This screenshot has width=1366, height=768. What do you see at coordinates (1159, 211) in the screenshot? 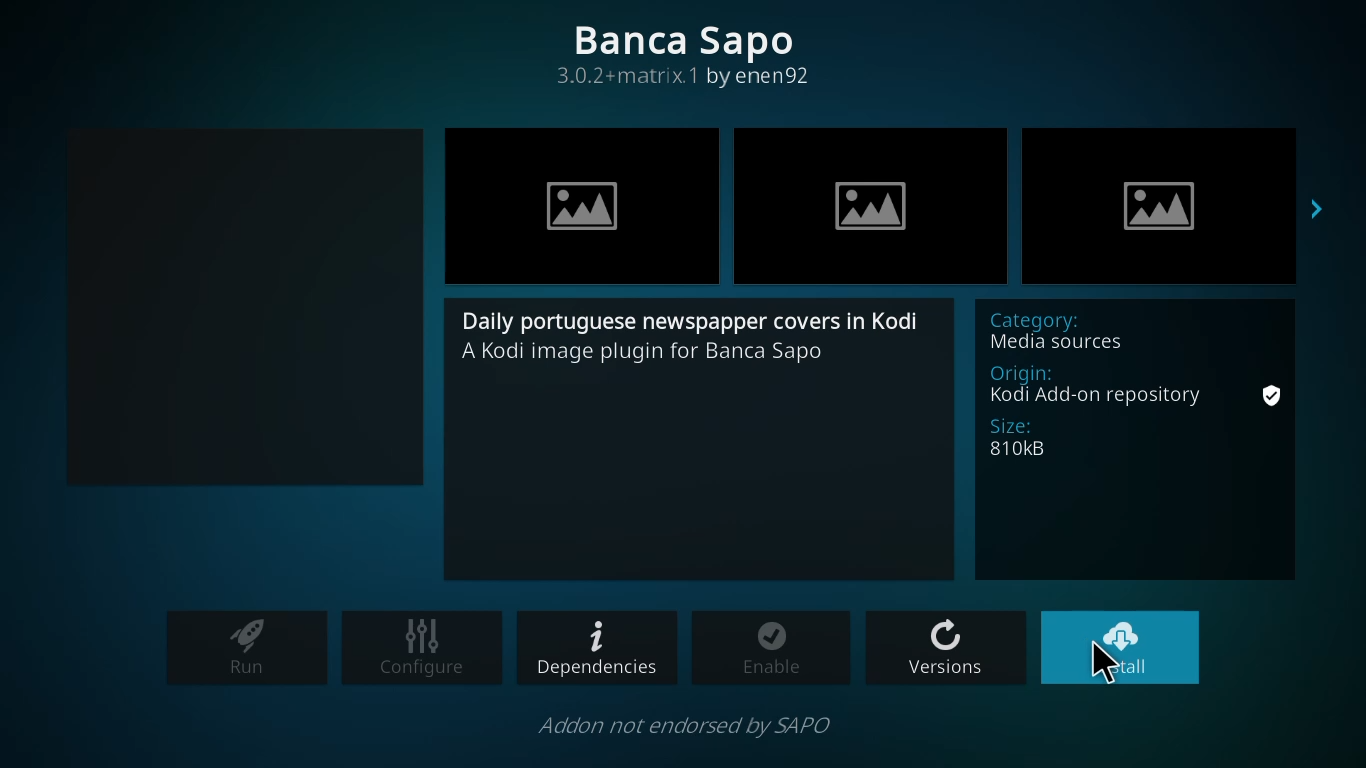
I see `image` at bounding box center [1159, 211].